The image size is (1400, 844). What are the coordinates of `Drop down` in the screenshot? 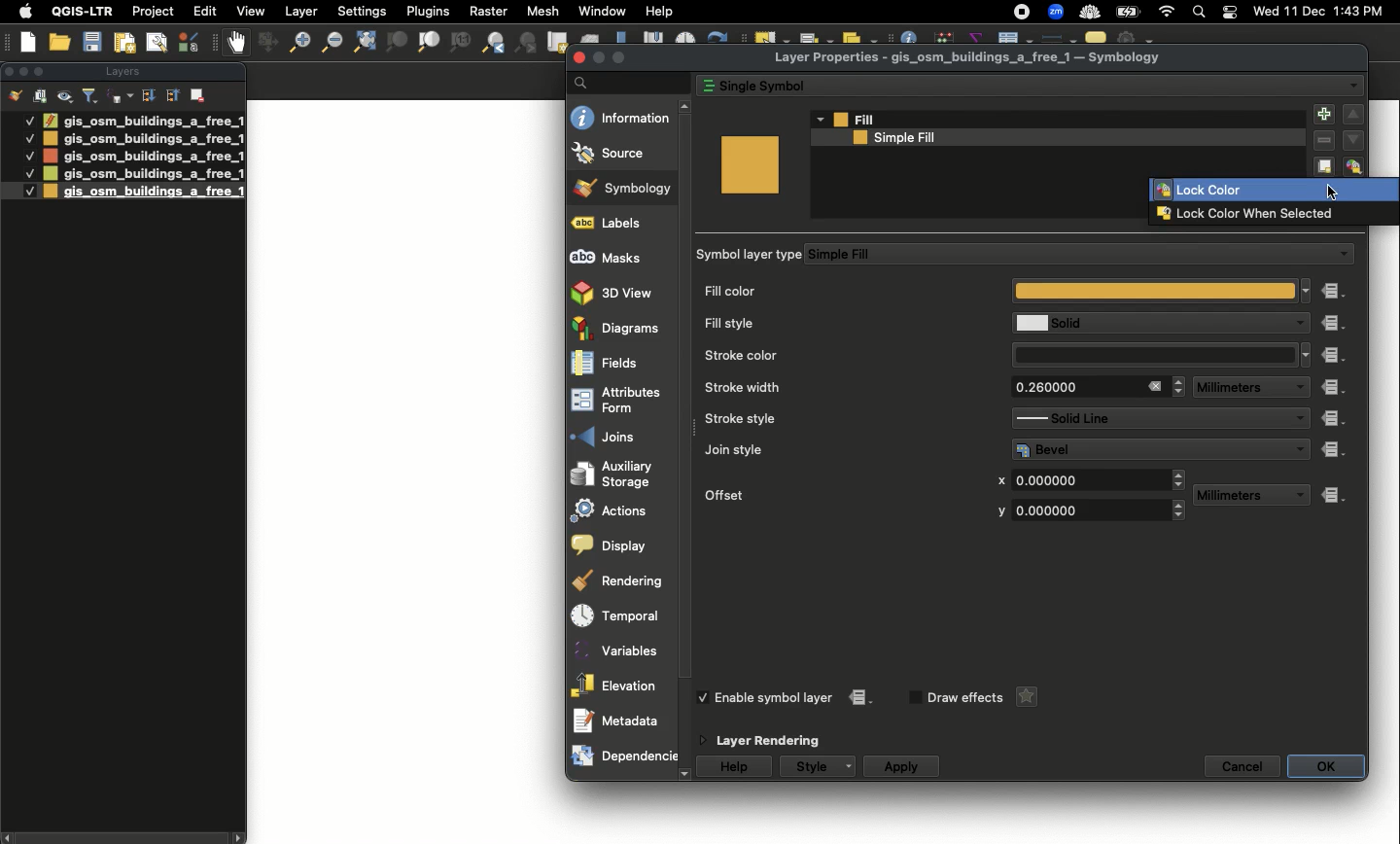 It's located at (852, 766).